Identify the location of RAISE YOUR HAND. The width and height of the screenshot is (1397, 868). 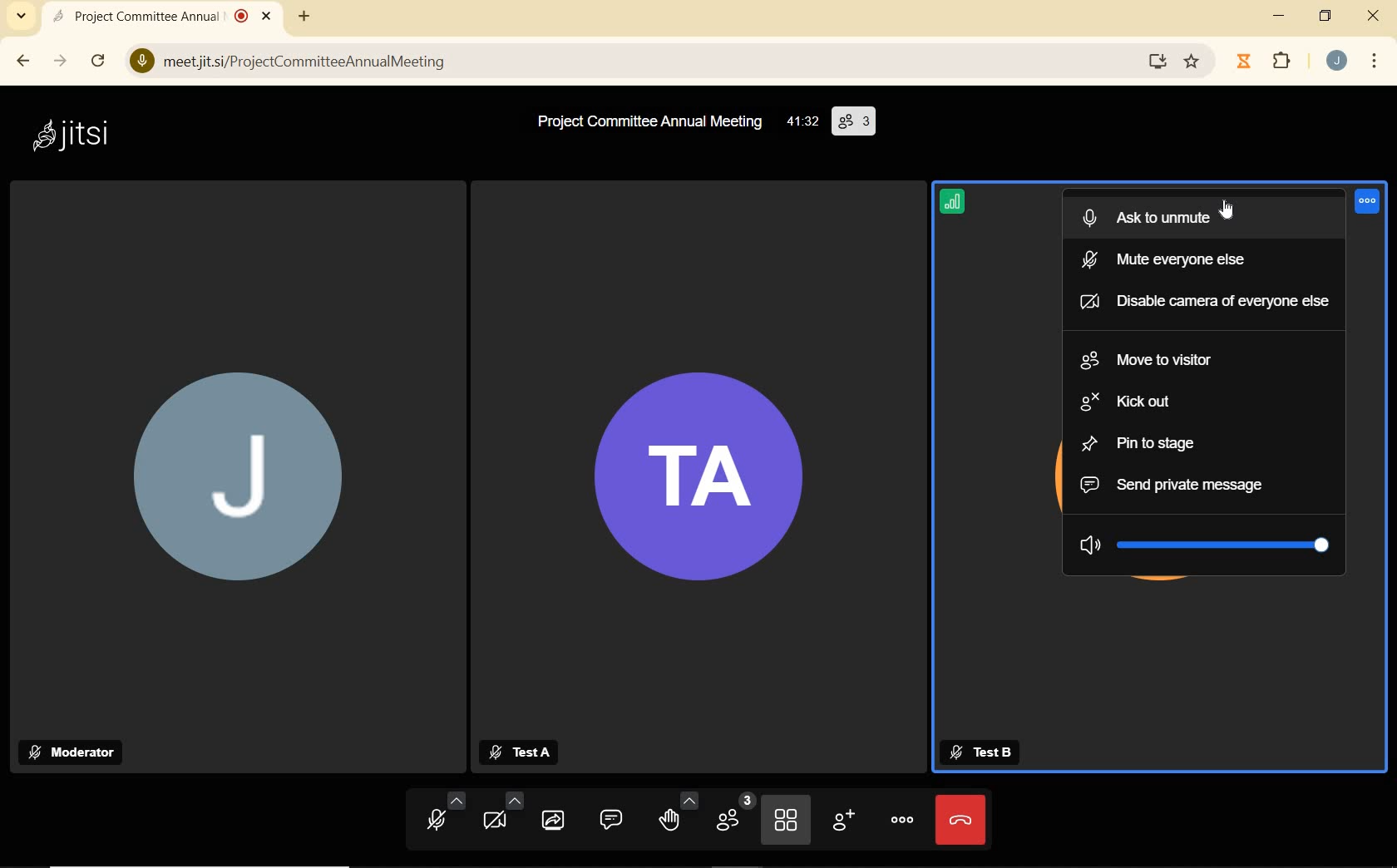
(675, 813).